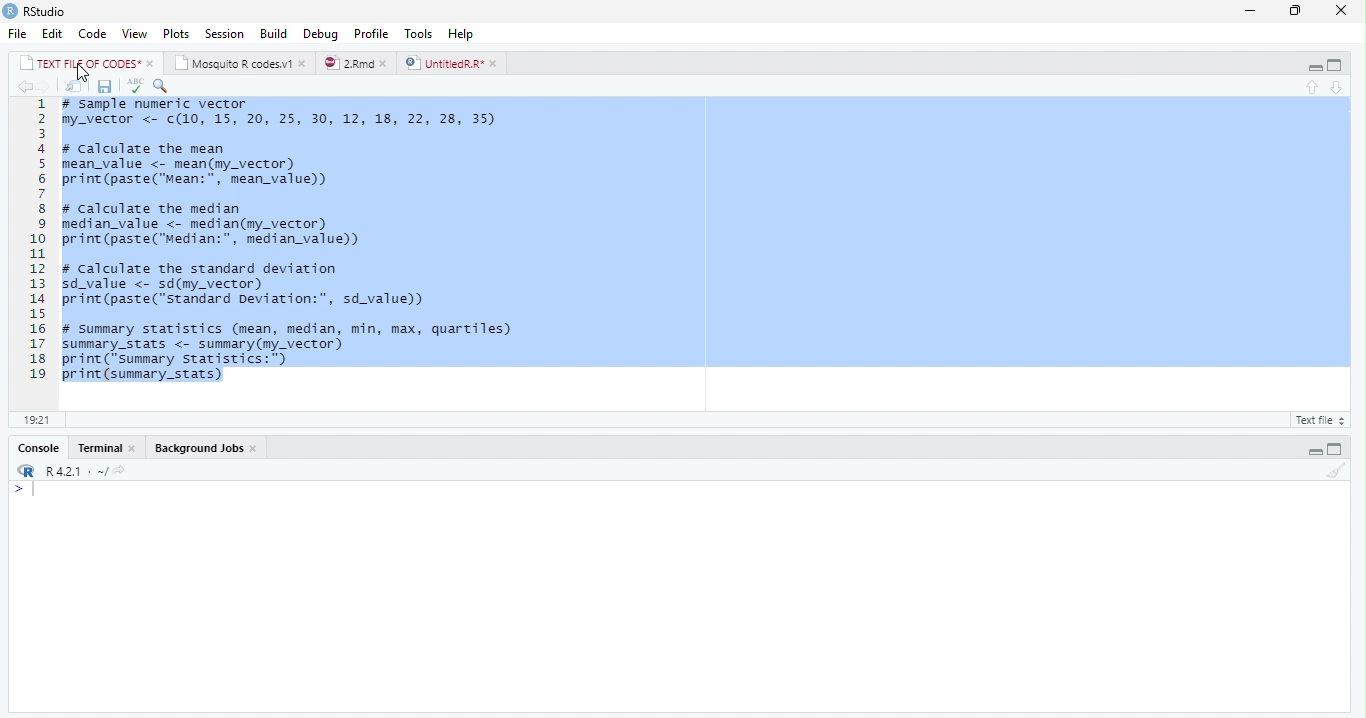 Image resolution: width=1366 pixels, height=718 pixels. What do you see at coordinates (82, 65) in the screenshot?
I see `TEXT FILE OF CODES` at bounding box center [82, 65].